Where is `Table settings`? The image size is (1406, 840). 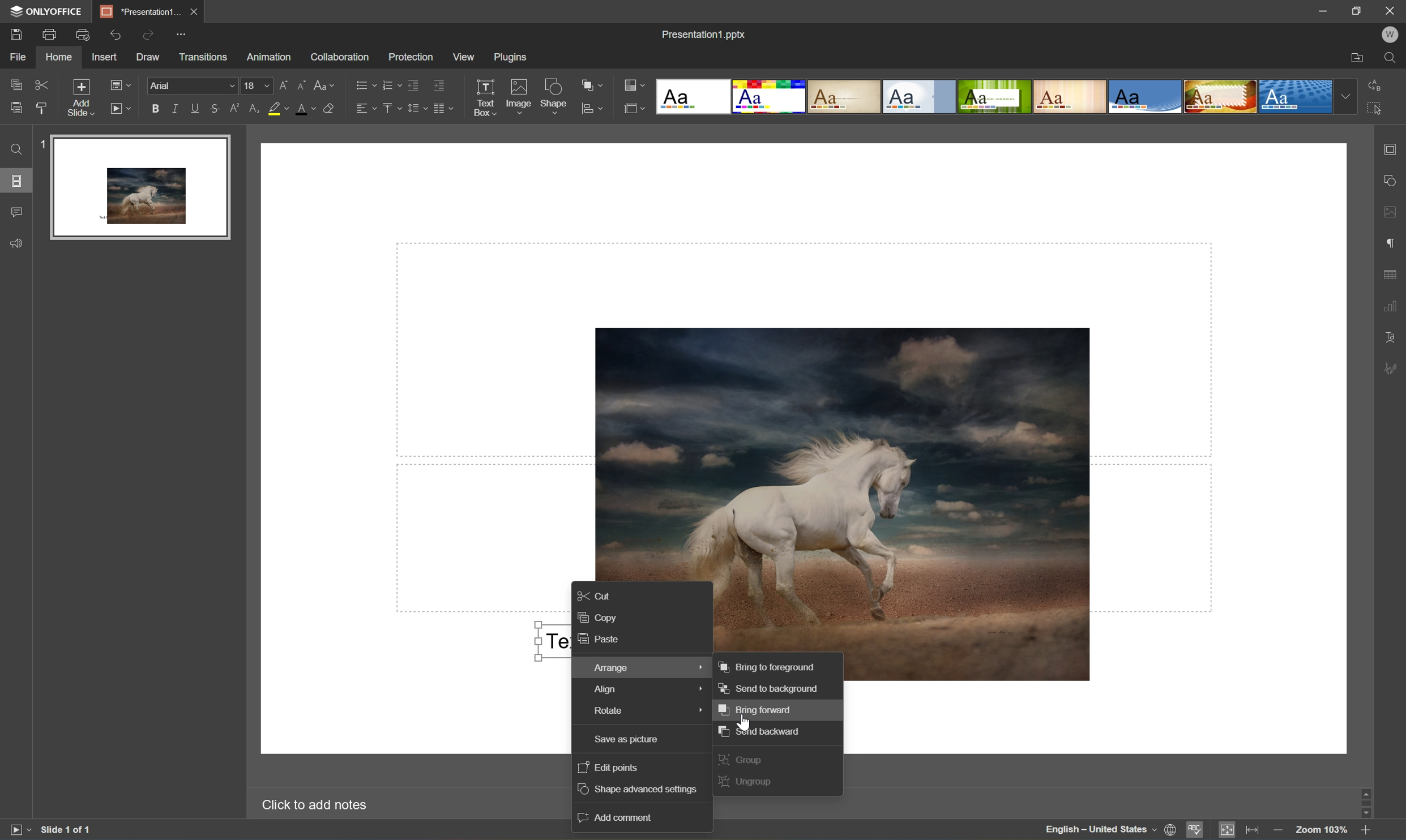
Table settings is located at coordinates (1393, 277).